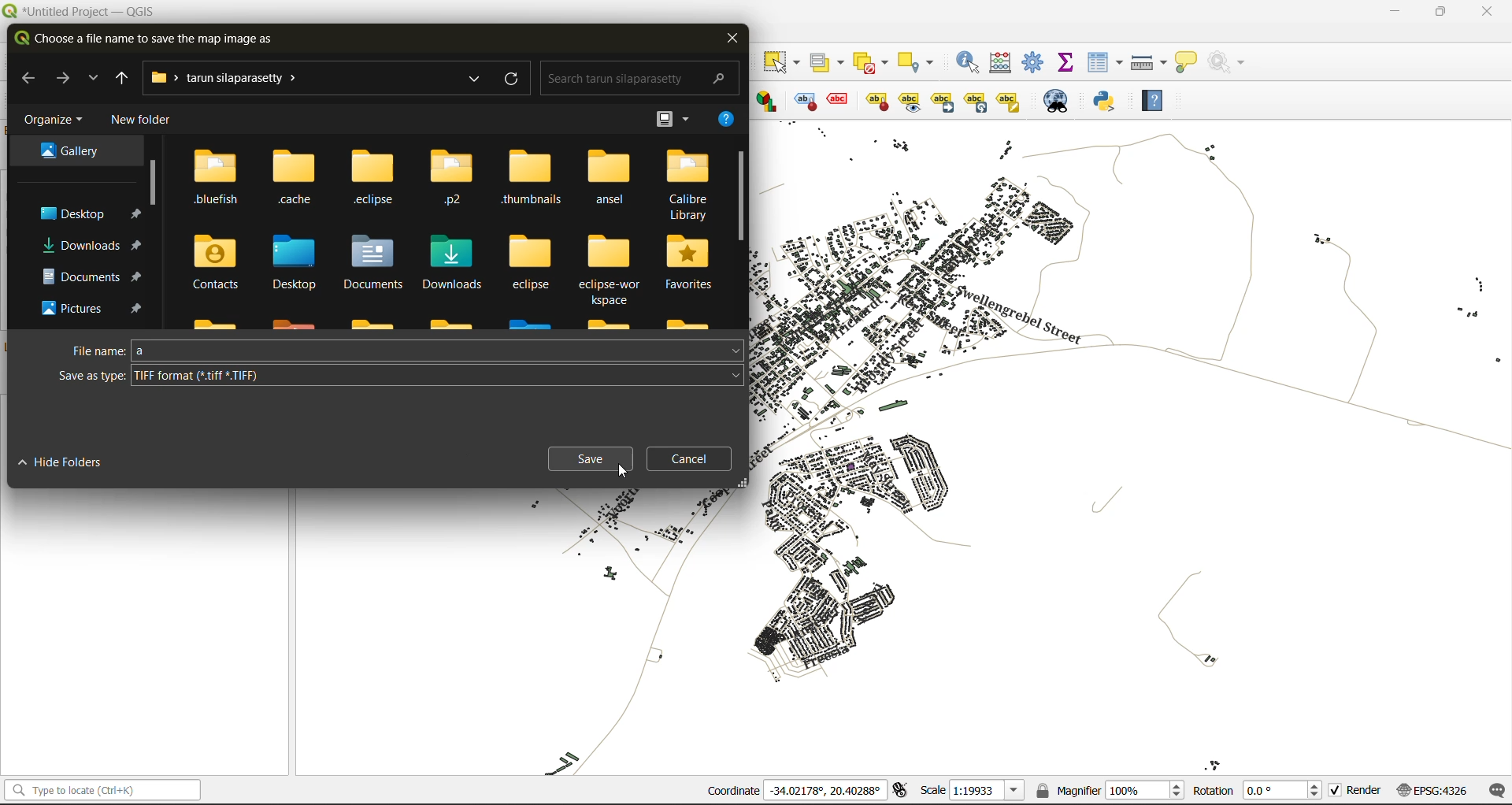  What do you see at coordinates (976, 100) in the screenshot?
I see `Rotate a label` at bounding box center [976, 100].